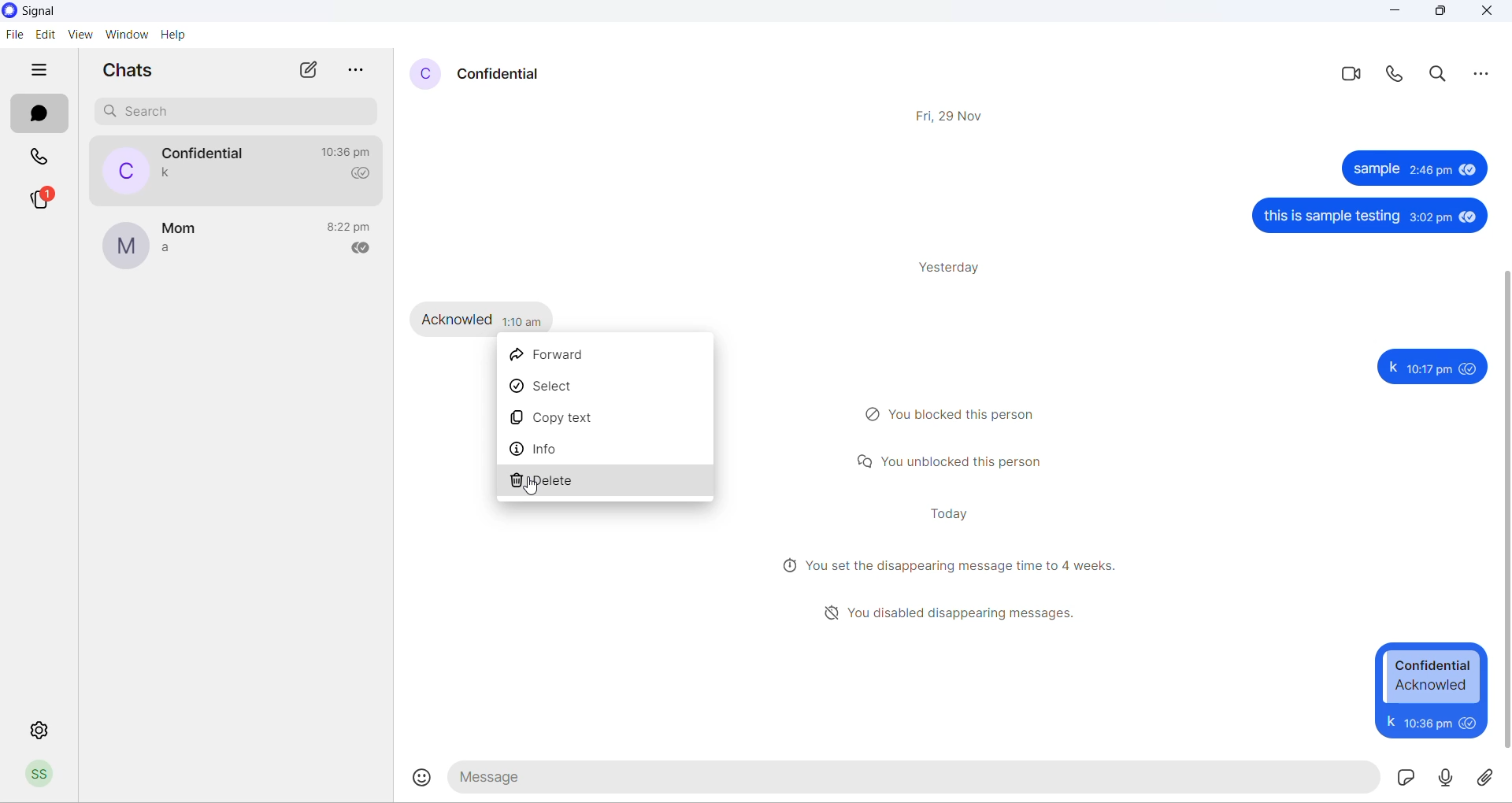 This screenshot has height=803, width=1512. Describe the element at coordinates (187, 229) in the screenshot. I see `contact name` at that location.